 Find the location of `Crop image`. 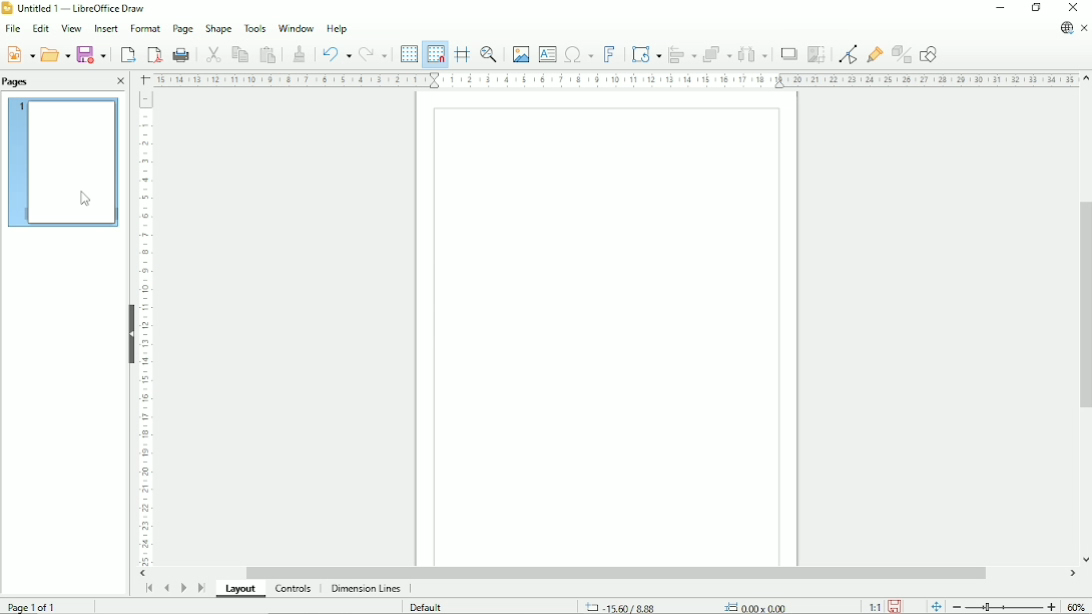

Crop image is located at coordinates (816, 54).